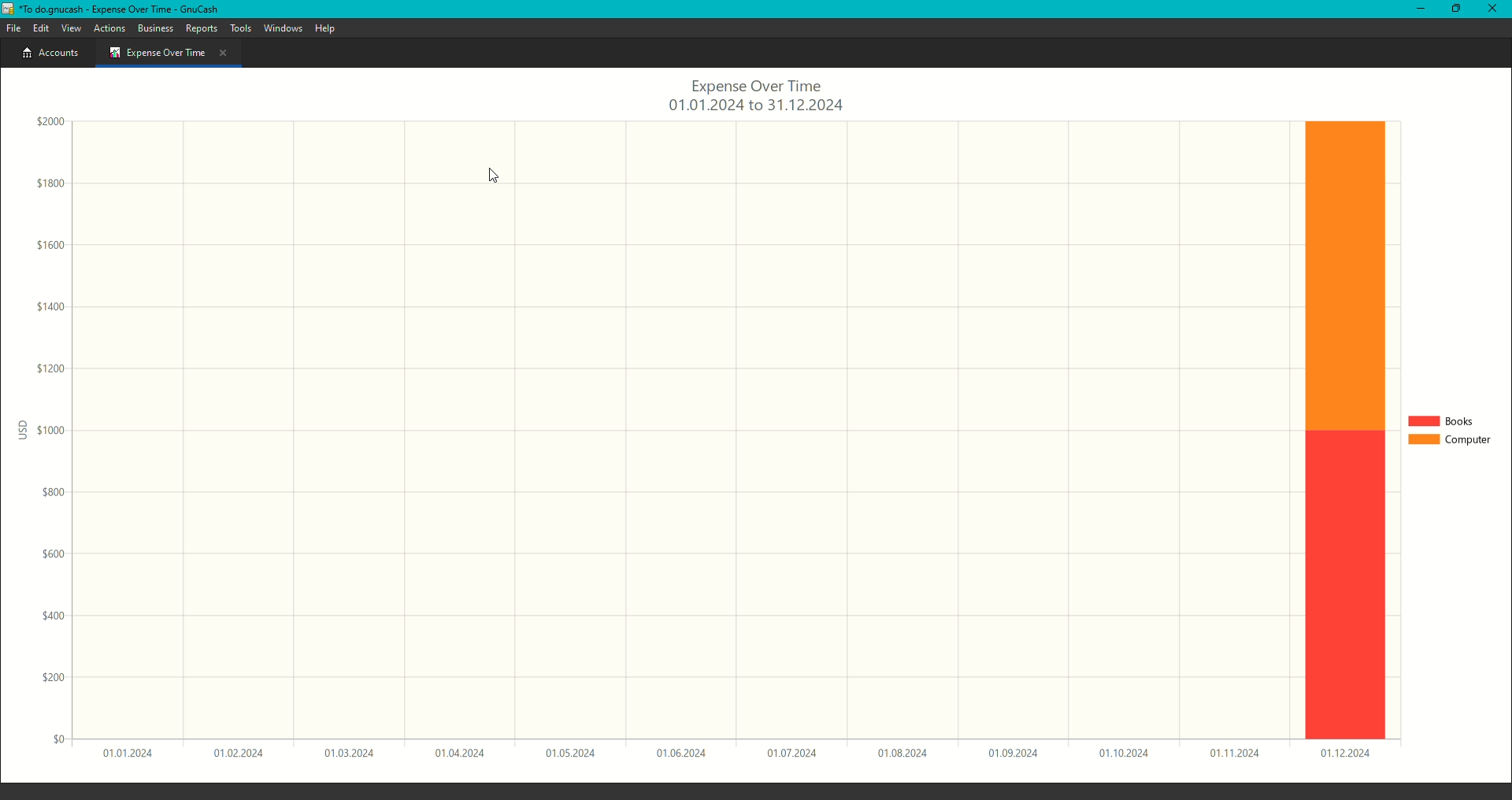  I want to click on Reports, so click(202, 27).